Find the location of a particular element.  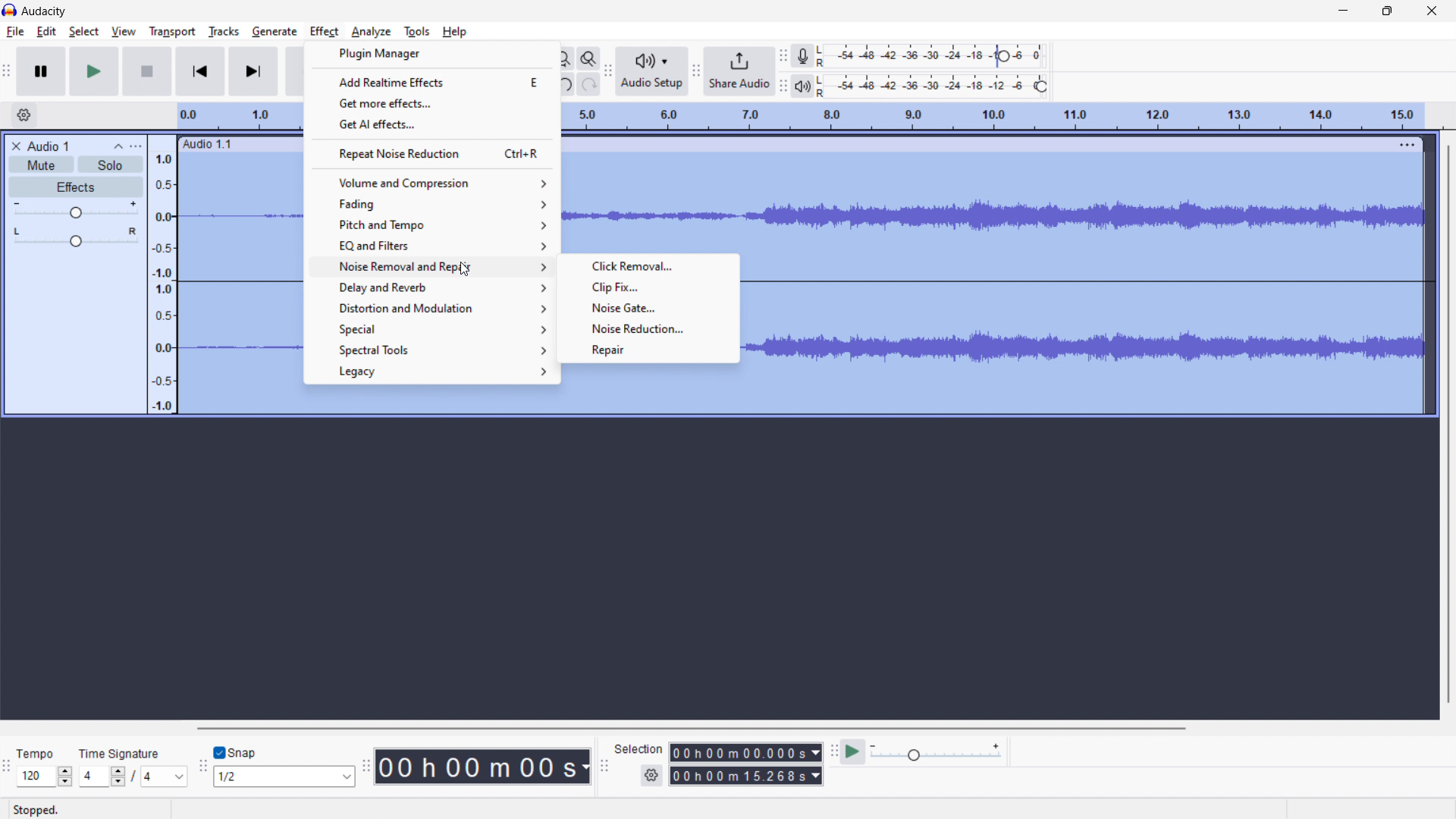

volume and compression is located at coordinates (431, 183).